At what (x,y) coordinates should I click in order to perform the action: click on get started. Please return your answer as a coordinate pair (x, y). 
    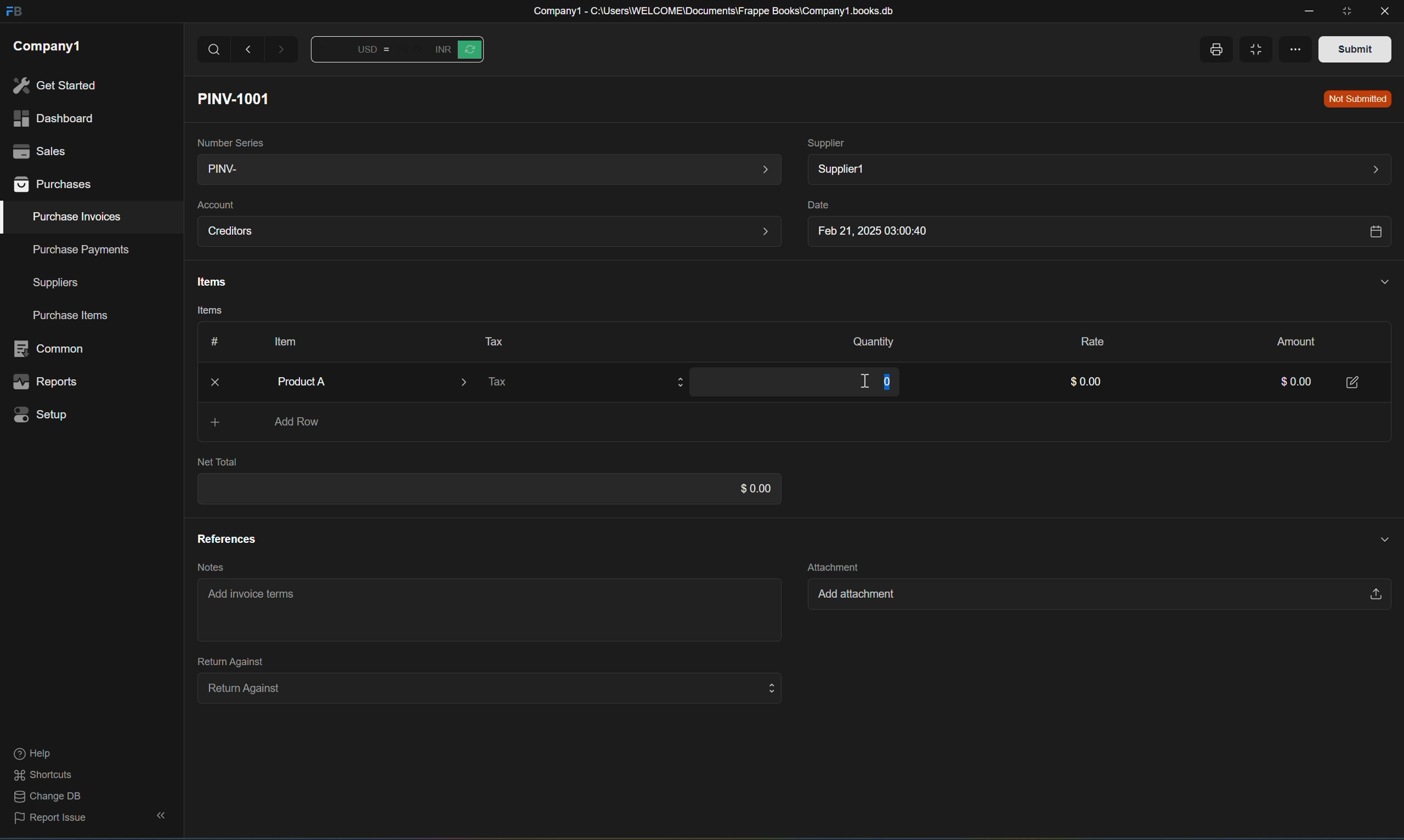
    Looking at the image, I should click on (54, 85).